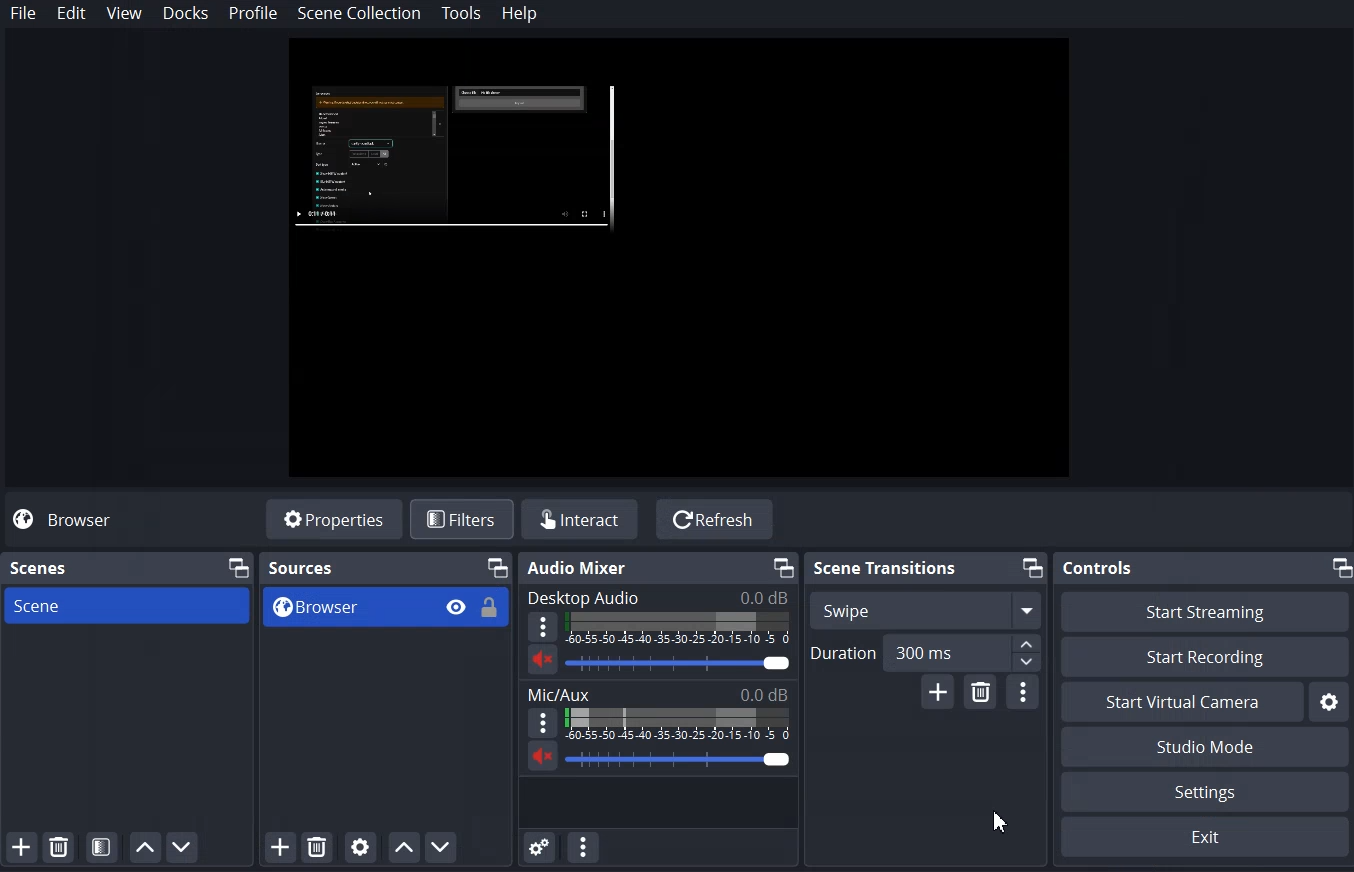 The width and height of the screenshot is (1354, 872). I want to click on Add Source, so click(281, 848).